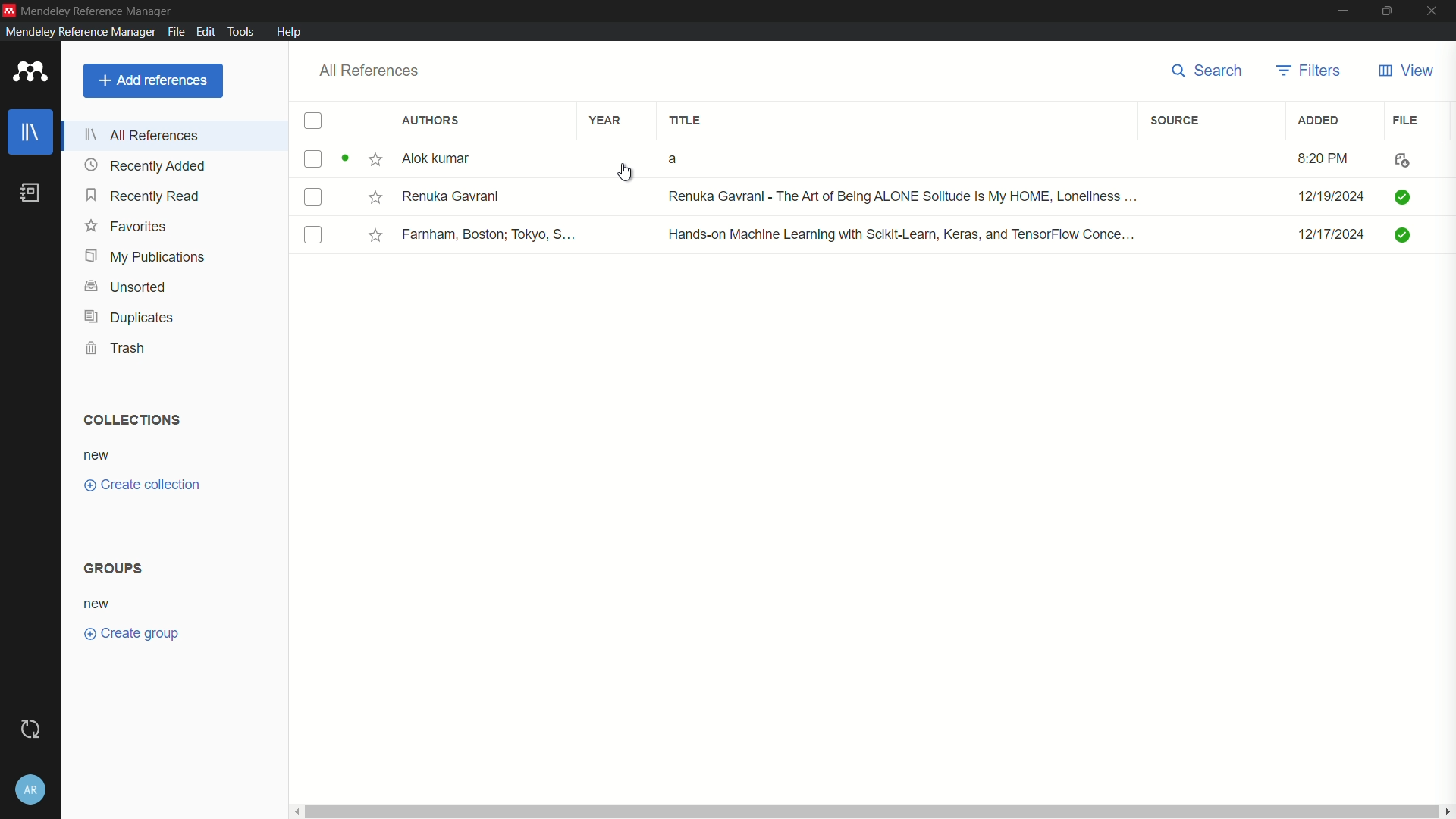 This screenshot has width=1456, height=819. What do you see at coordinates (98, 605) in the screenshot?
I see `new` at bounding box center [98, 605].